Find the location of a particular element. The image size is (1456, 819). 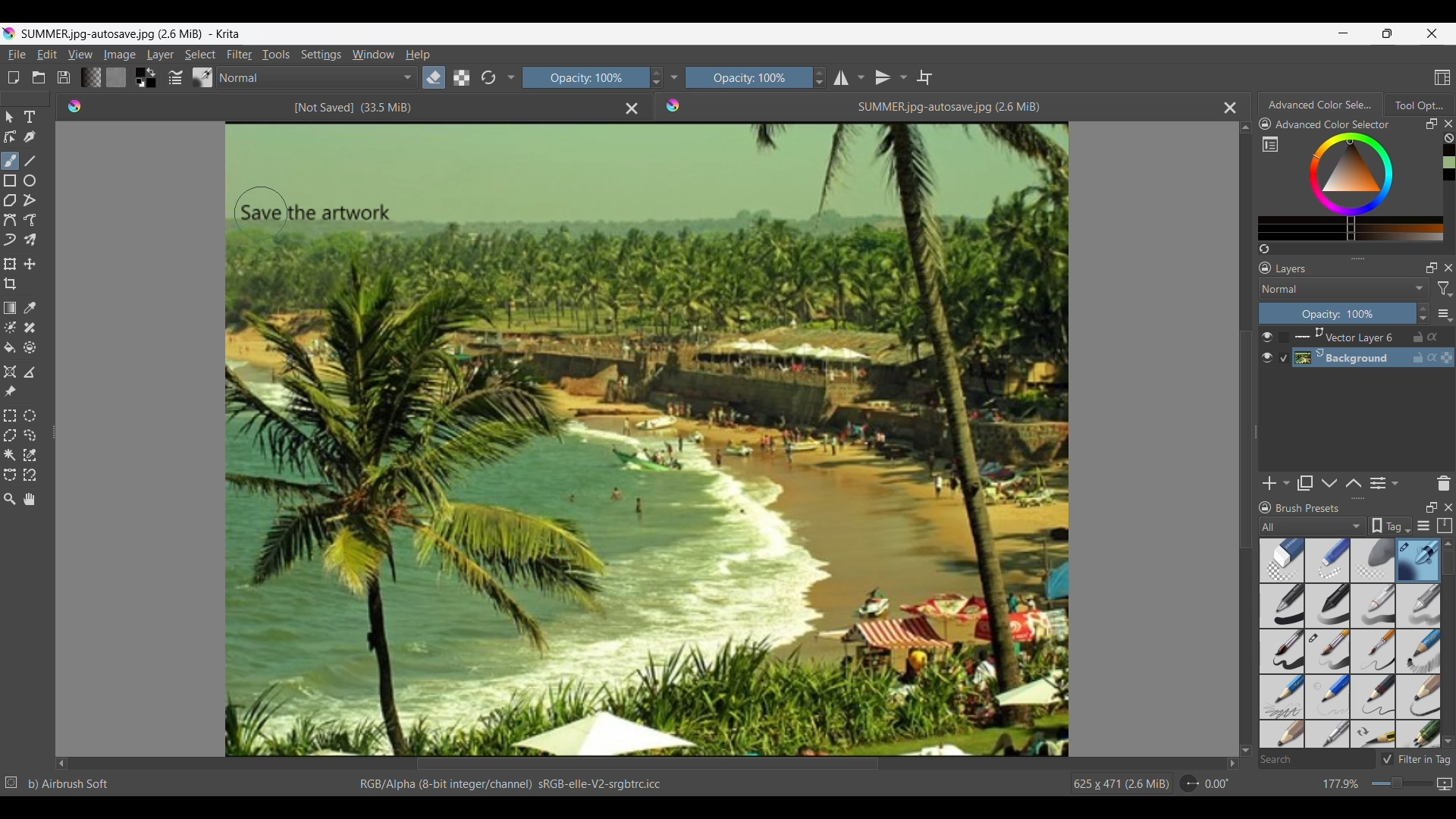

b) Airbrush Soft is located at coordinates (69, 784).